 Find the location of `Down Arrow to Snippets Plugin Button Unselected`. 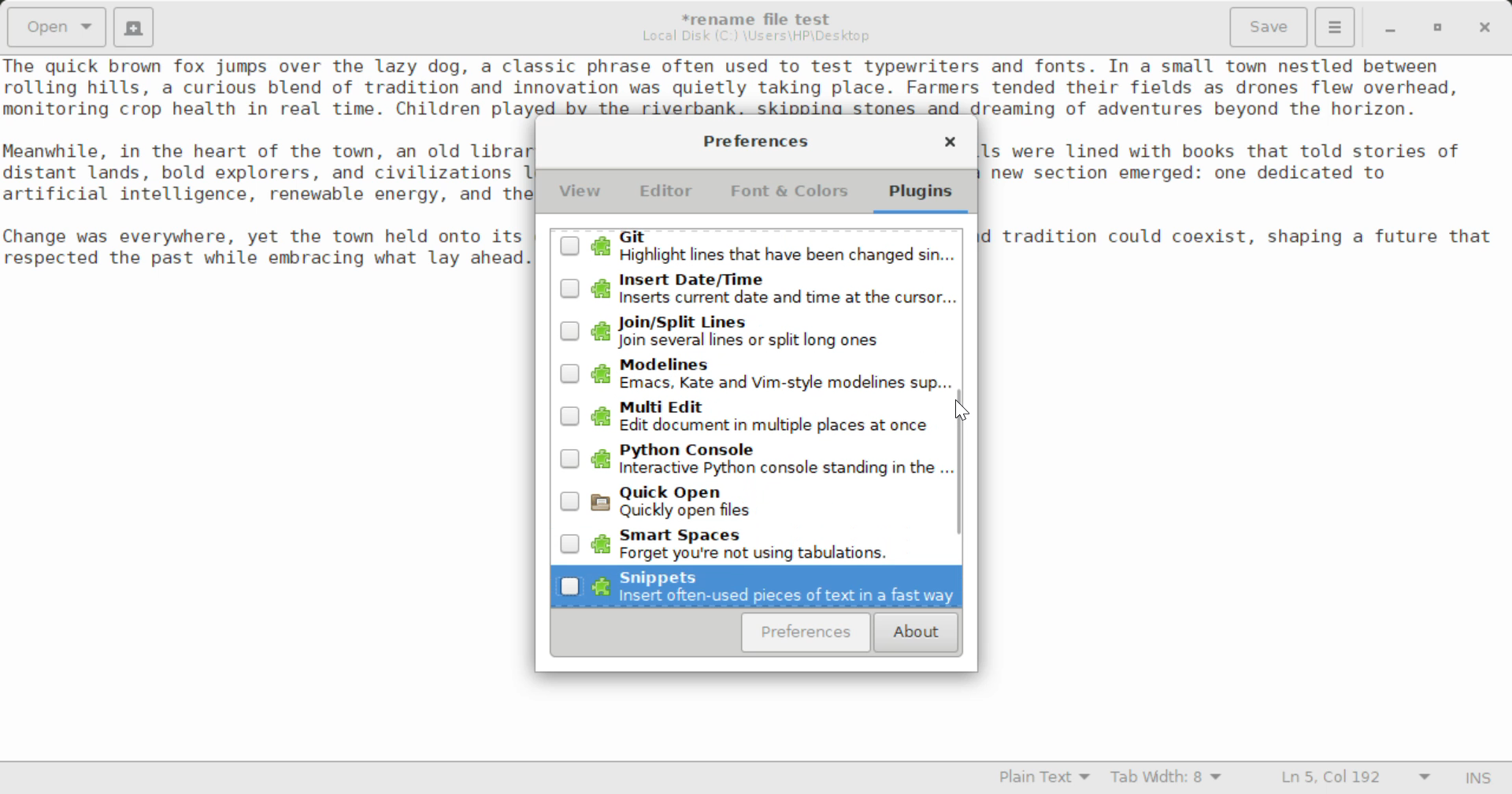

Down Arrow to Snippets Plugin Button Unselected is located at coordinates (757, 584).